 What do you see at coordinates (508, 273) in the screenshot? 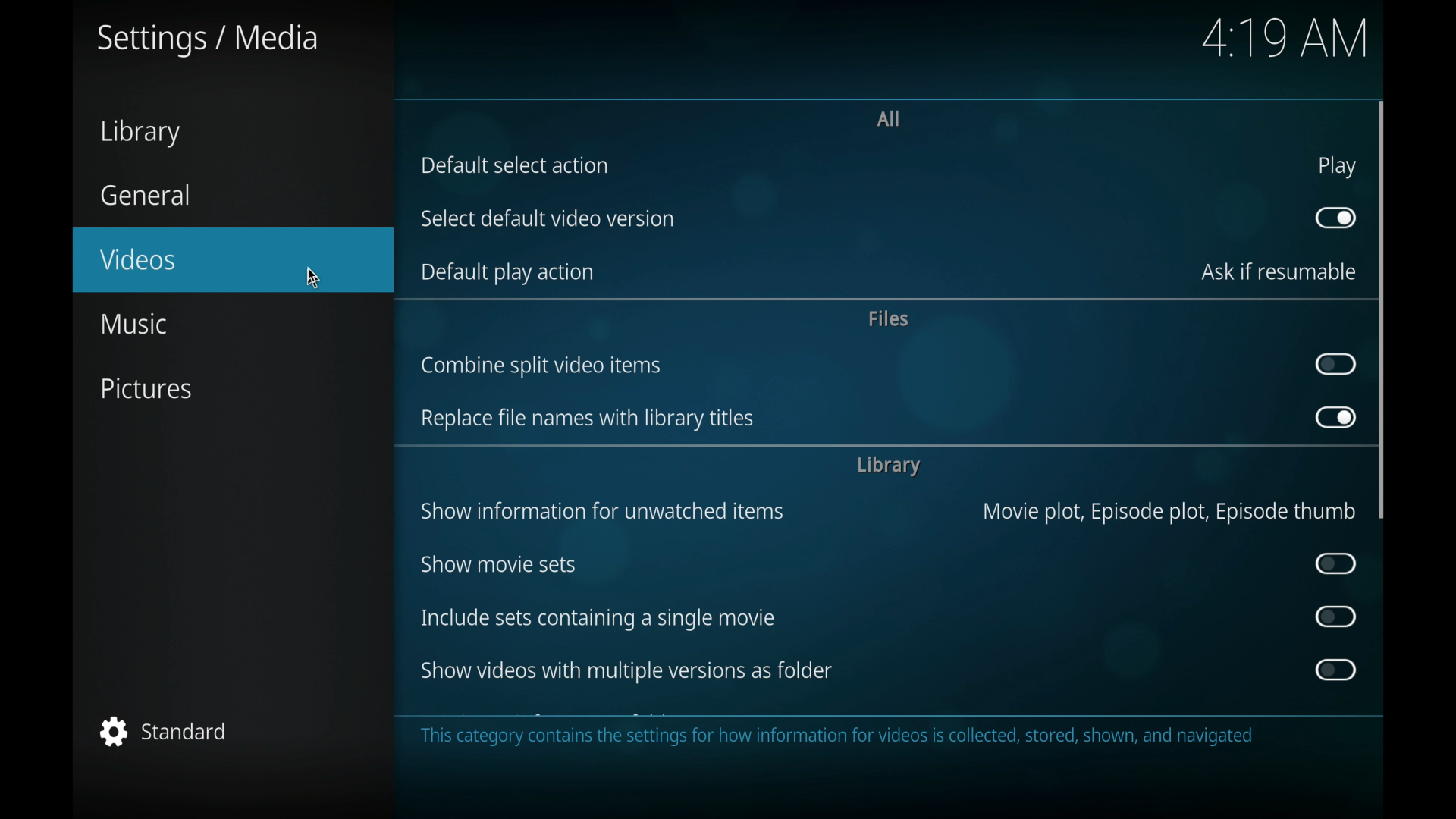
I see `default play action` at bounding box center [508, 273].